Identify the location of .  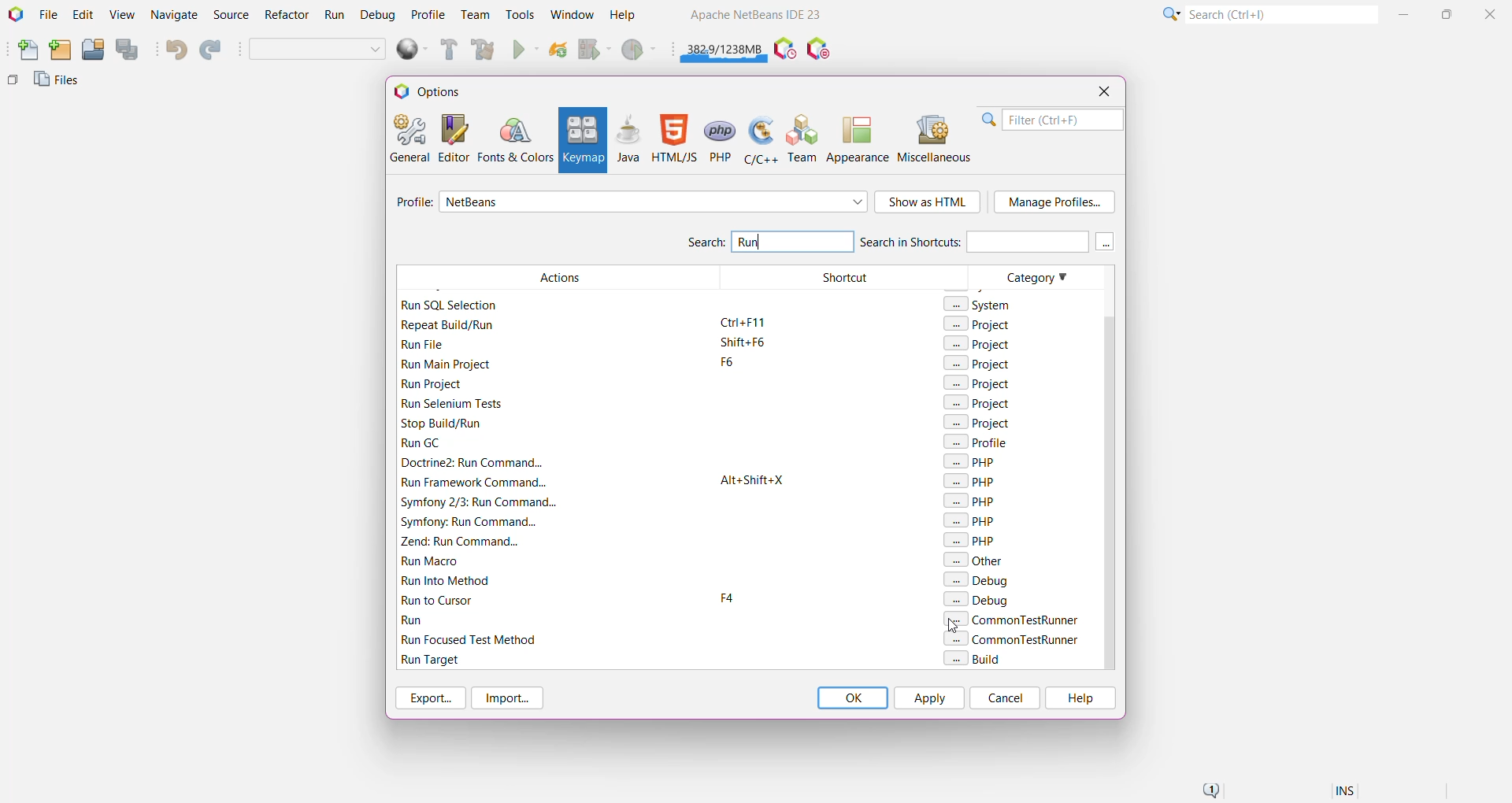
(412, 50).